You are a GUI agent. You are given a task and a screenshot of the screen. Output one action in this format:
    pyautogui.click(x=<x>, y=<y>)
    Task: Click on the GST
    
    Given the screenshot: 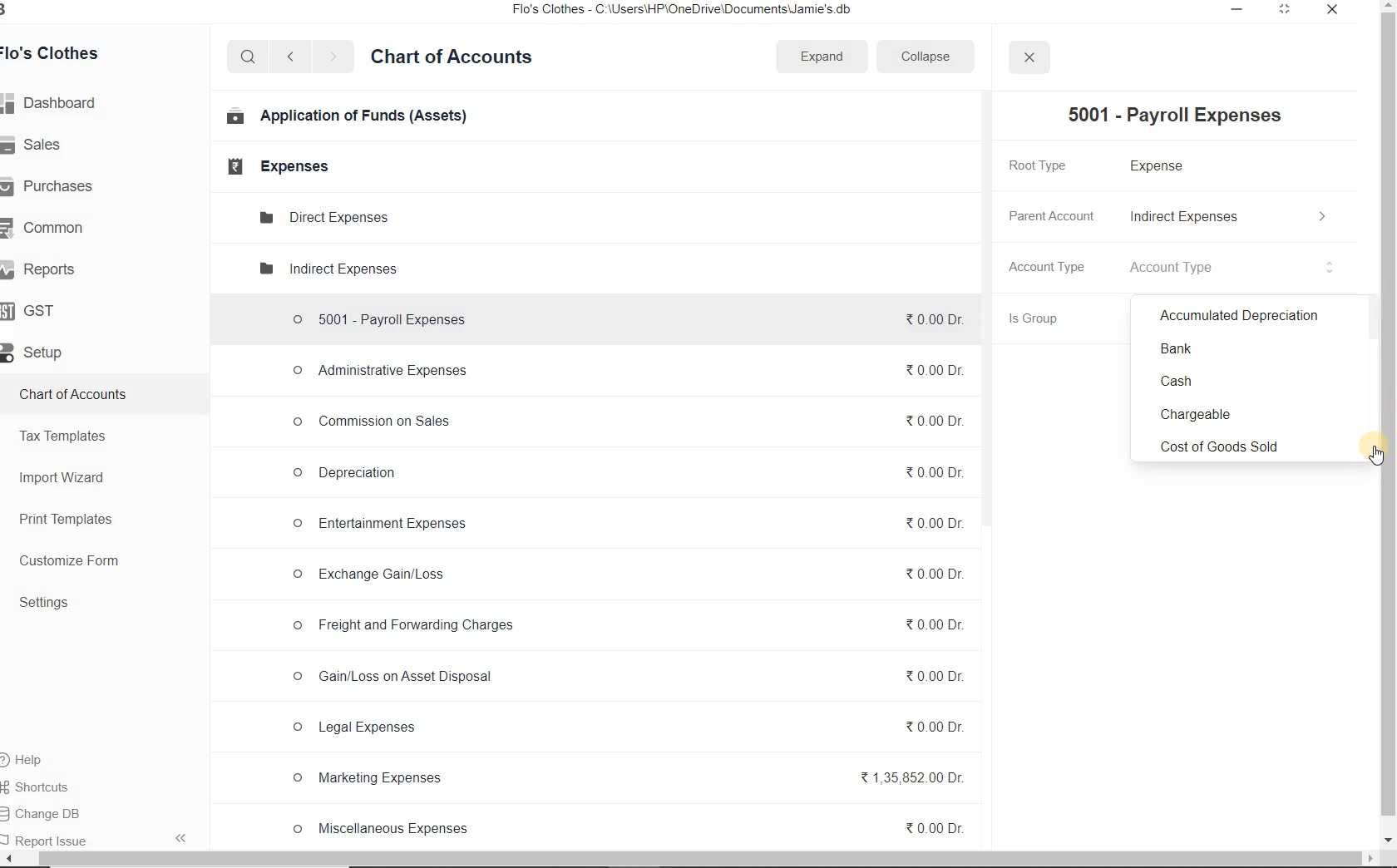 What is the action you would take?
    pyautogui.click(x=37, y=311)
    